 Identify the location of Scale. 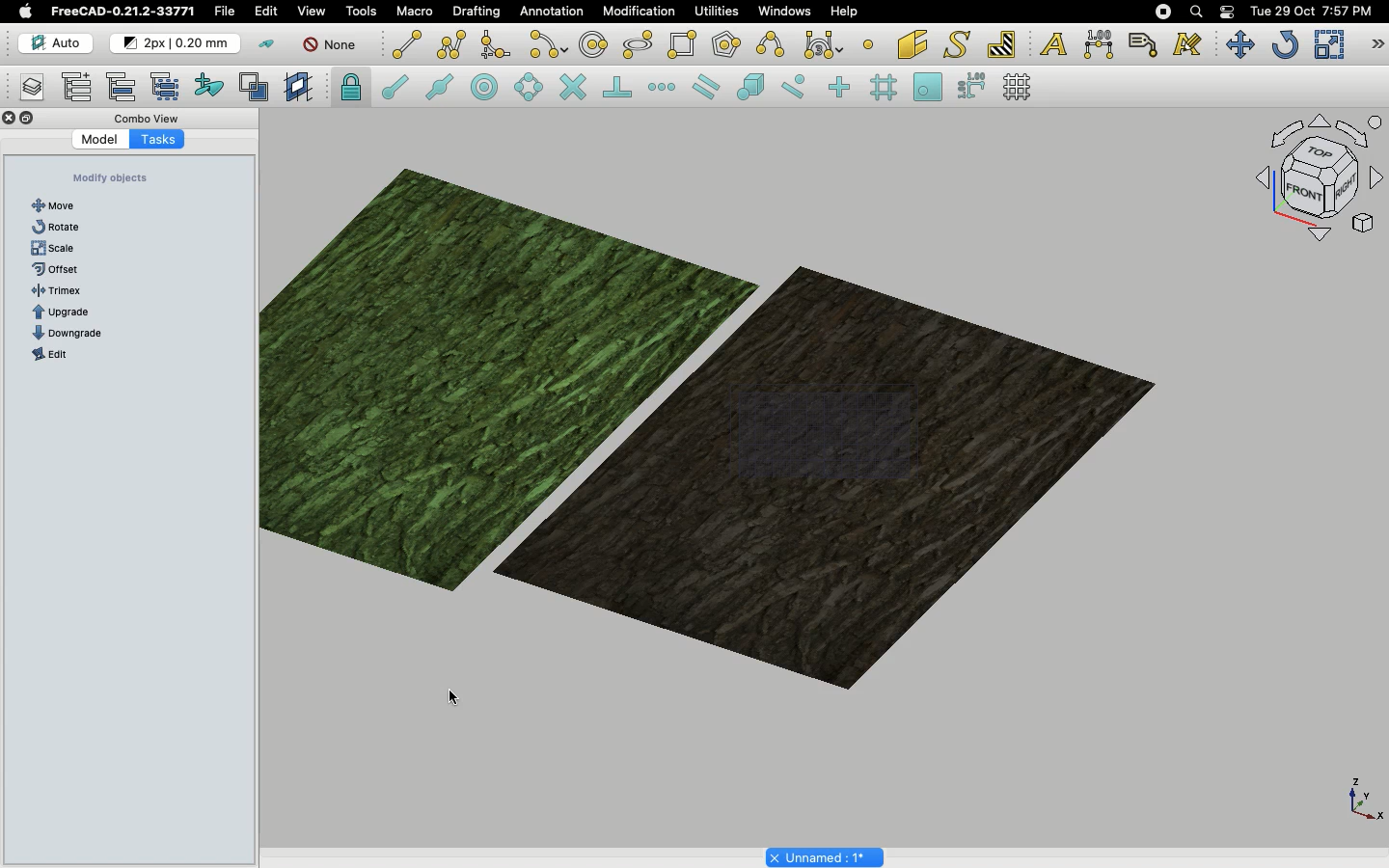
(56, 247).